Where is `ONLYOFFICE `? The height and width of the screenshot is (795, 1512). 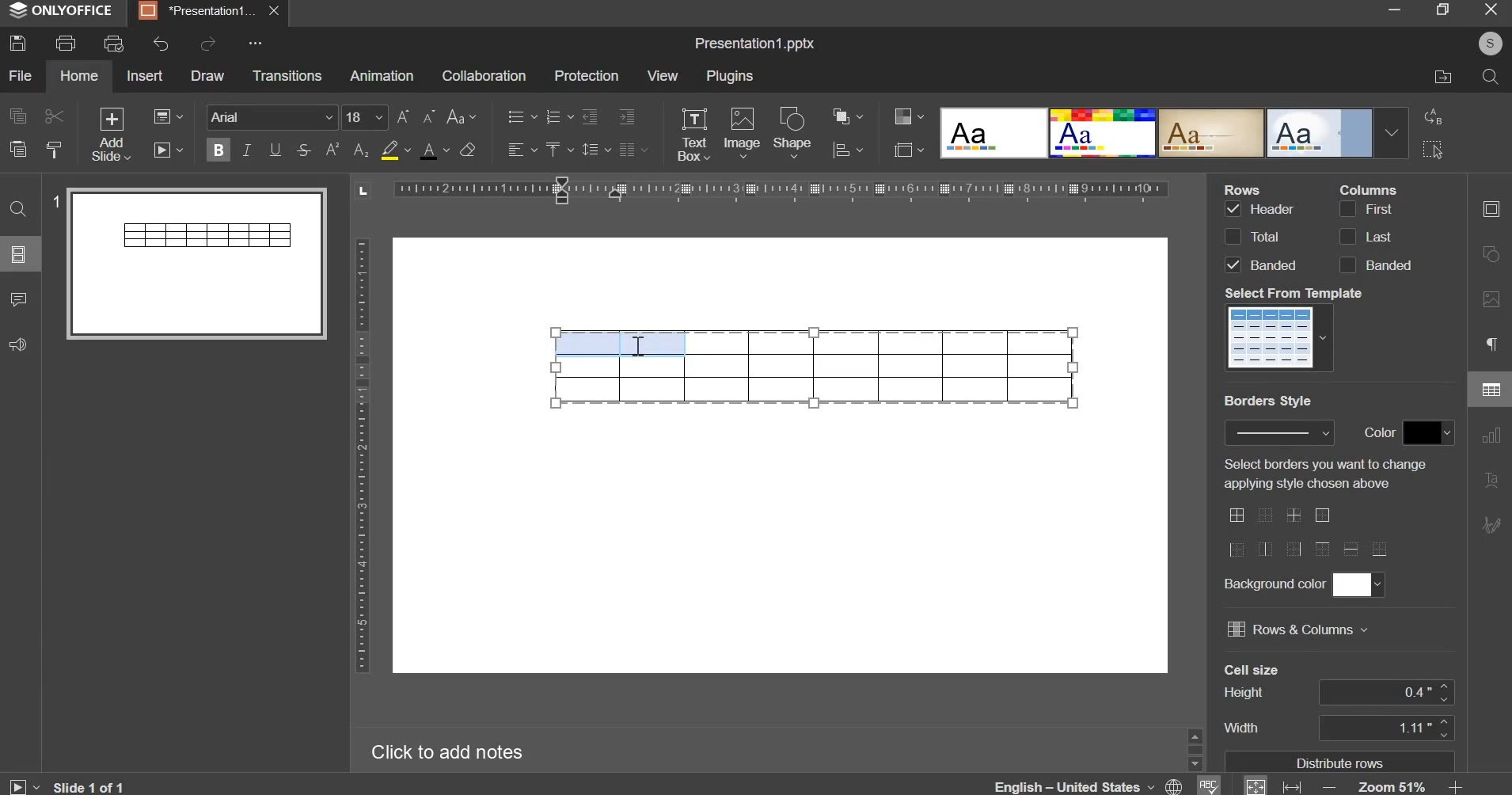
ONLYOFFICE  is located at coordinates (64, 11).